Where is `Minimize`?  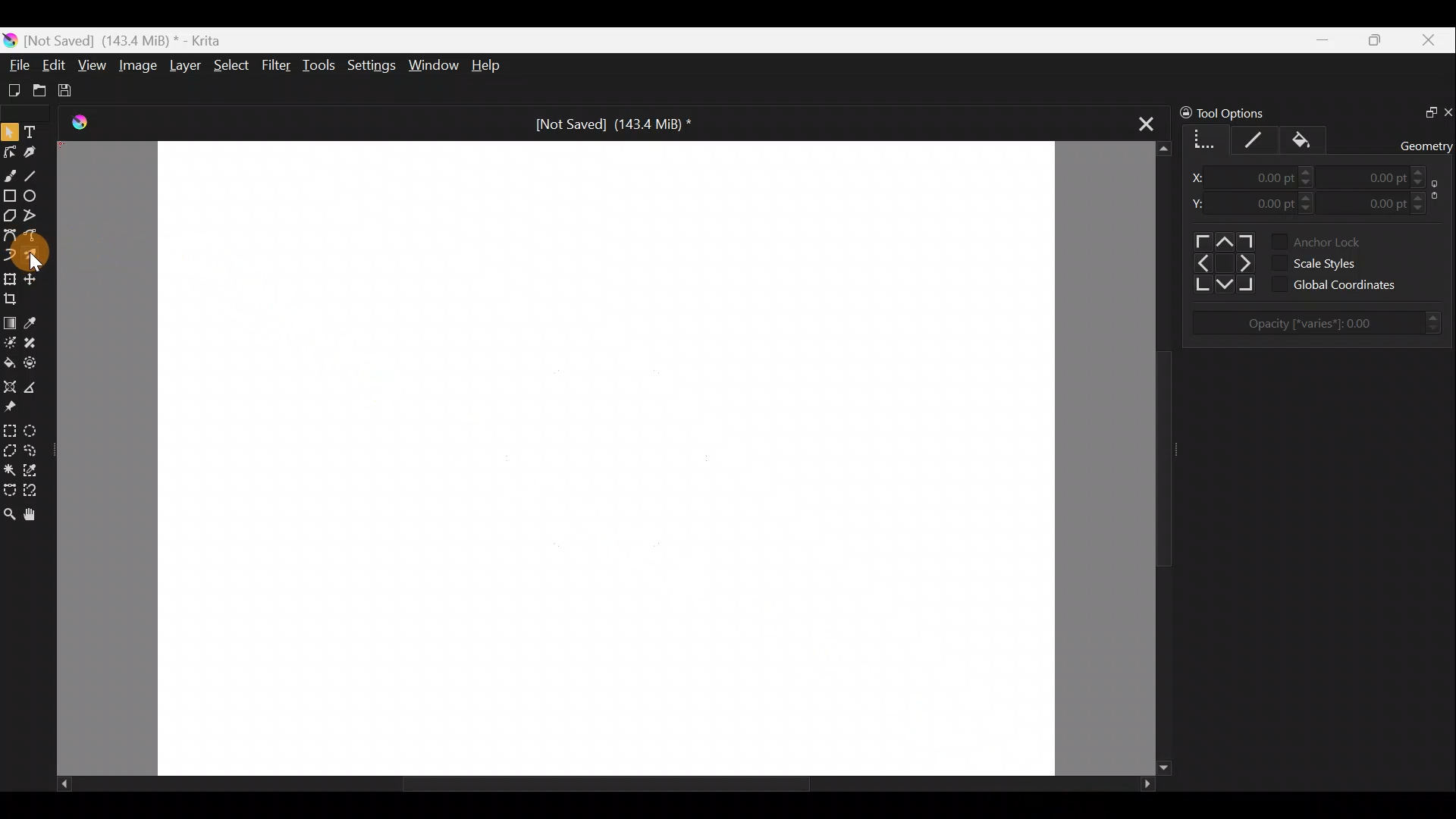
Minimize is located at coordinates (1320, 40).